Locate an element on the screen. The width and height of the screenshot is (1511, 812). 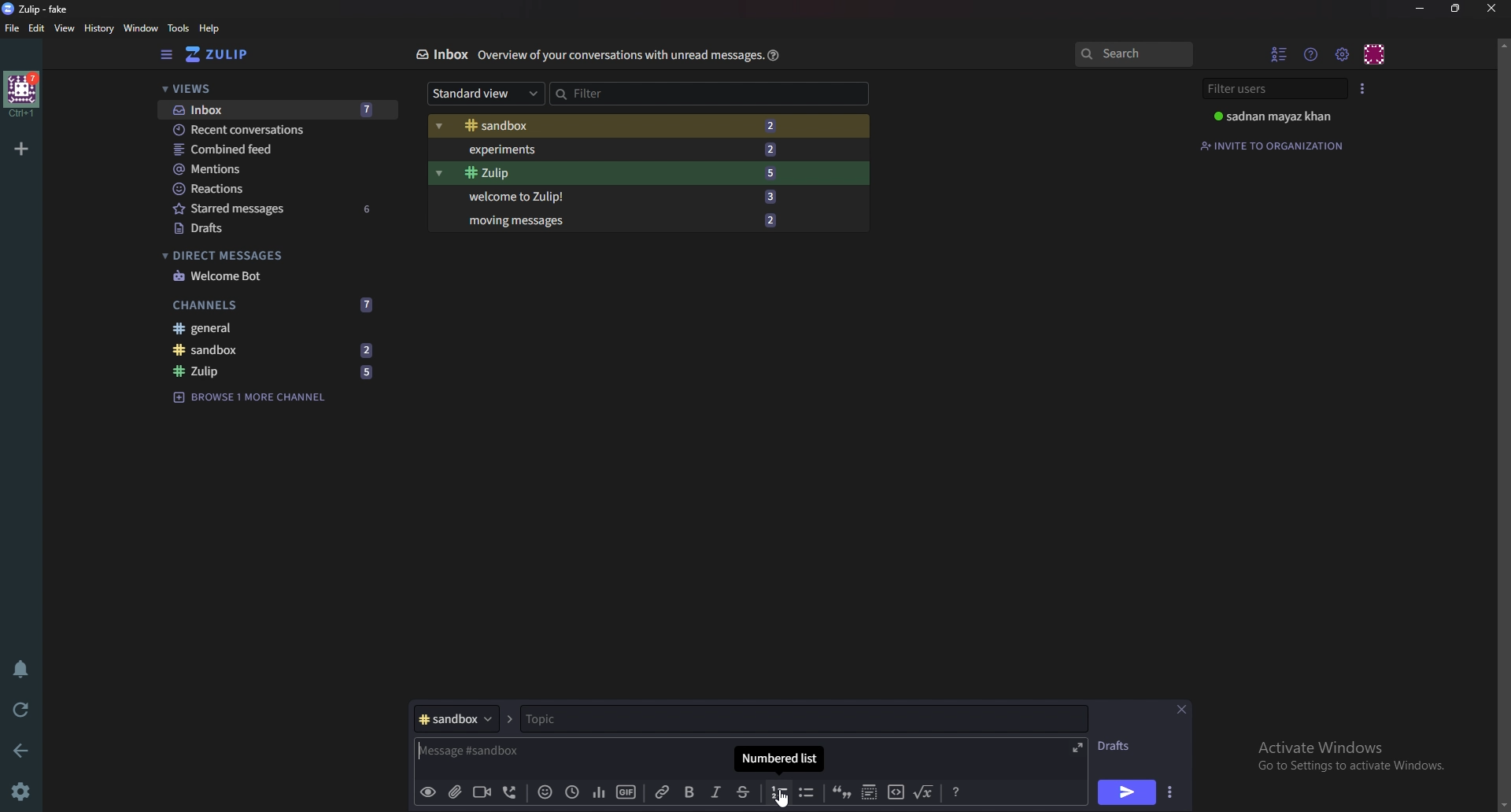
Home view is located at coordinates (228, 54).